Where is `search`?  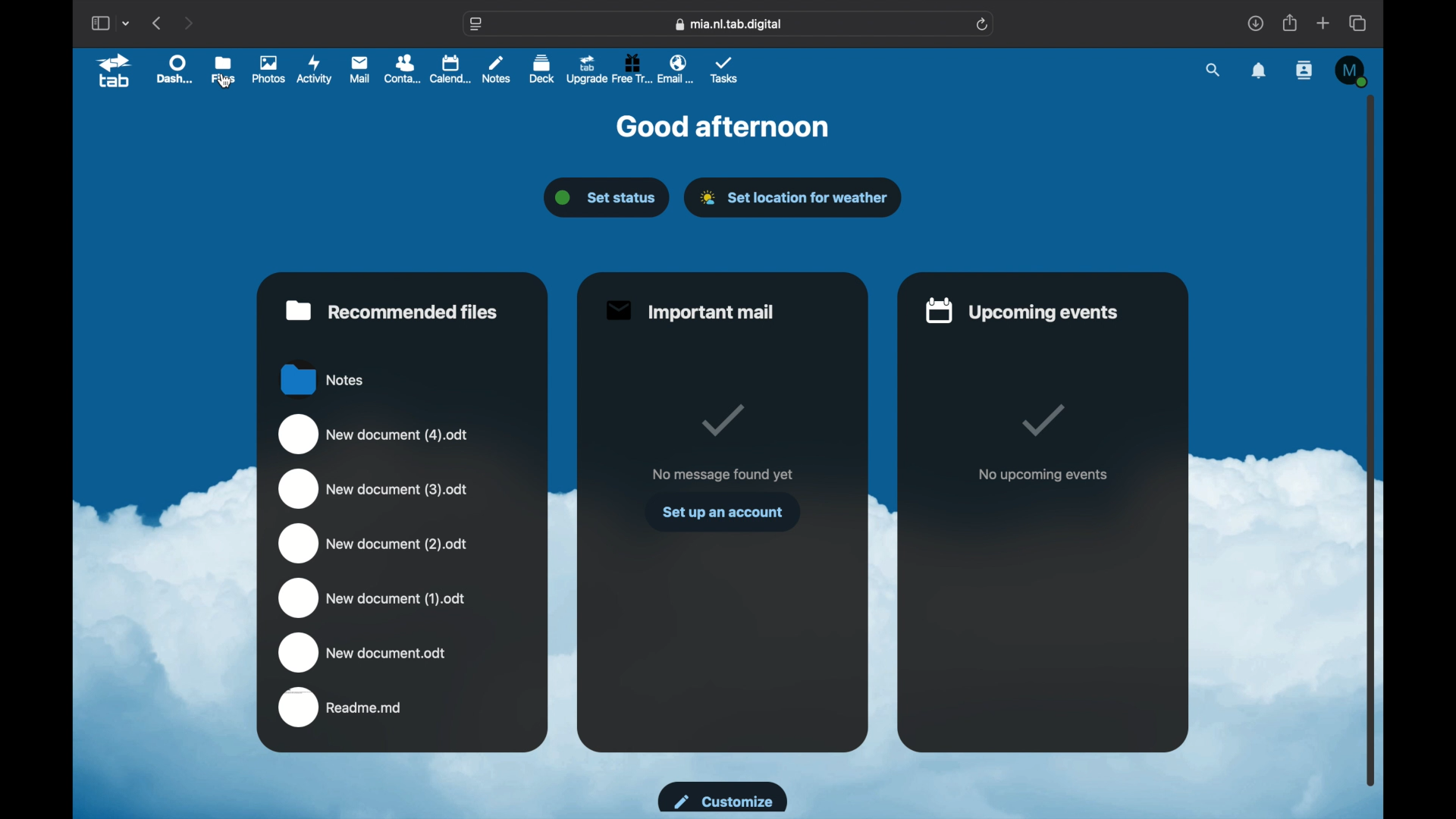 search is located at coordinates (1212, 70).